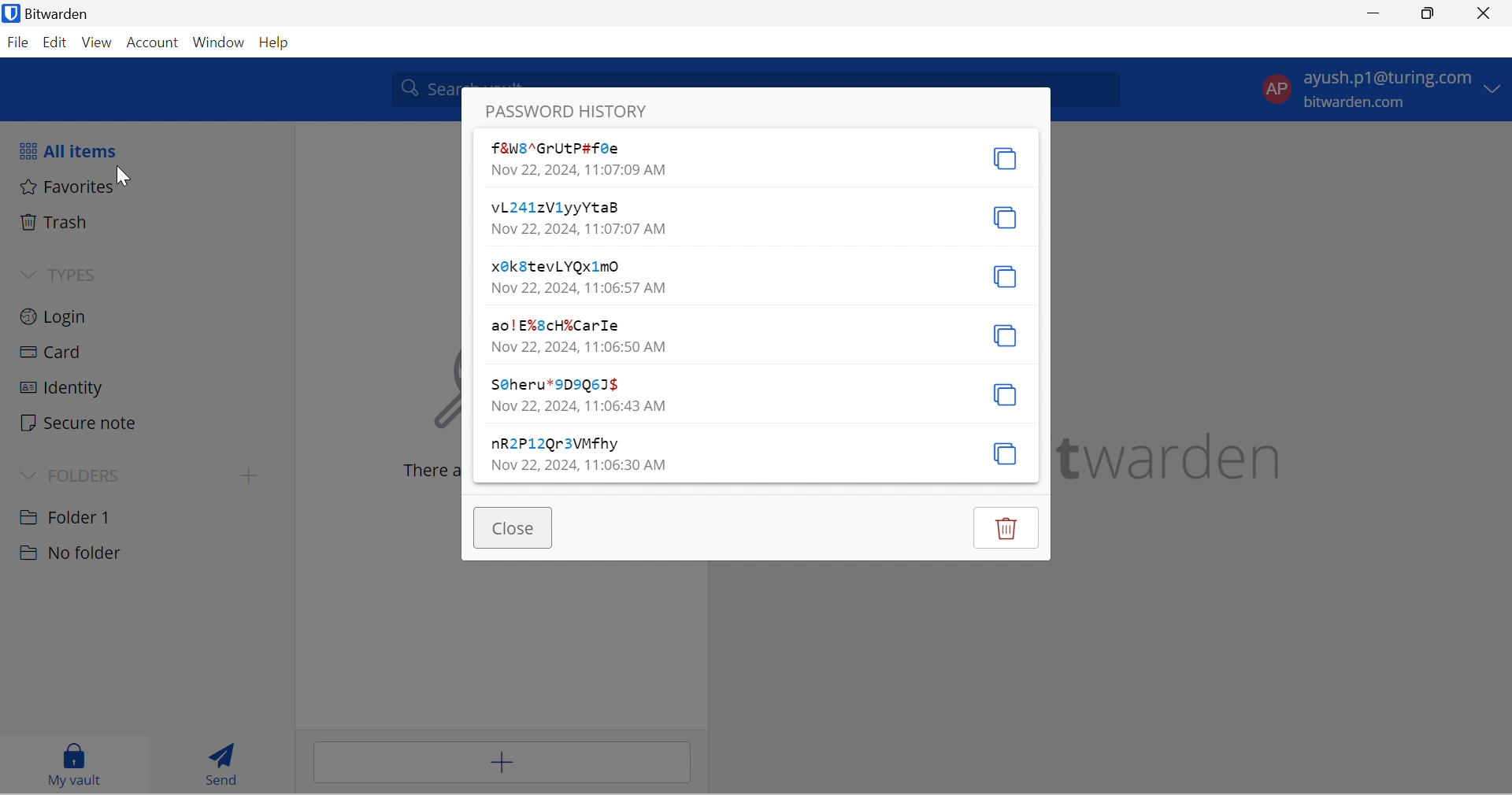 This screenshot has height=795, width=1512. What do you see at coordinates (244, 479) in the screenshot?
I see `create folder` at bounding box center [244, 479].